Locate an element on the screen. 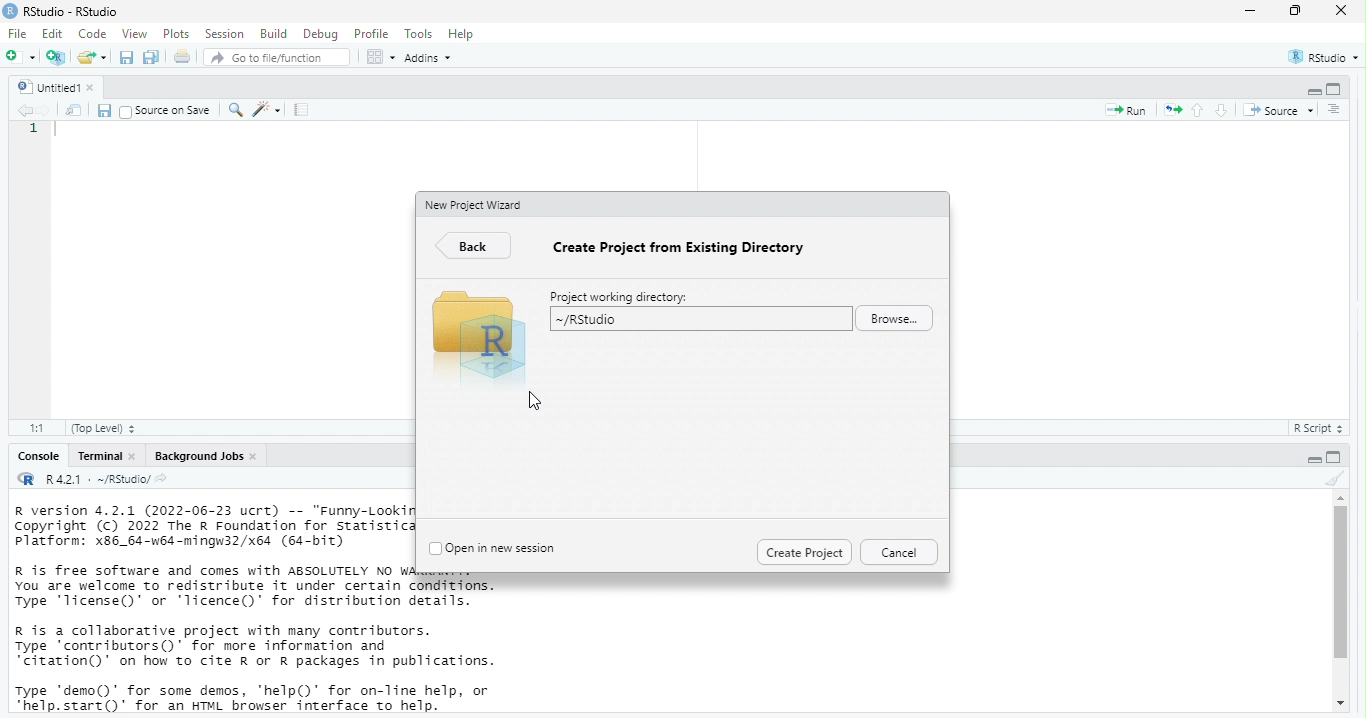 This screenshot has height=718, width=1366. show document online is located at coordinates (1342, 111).